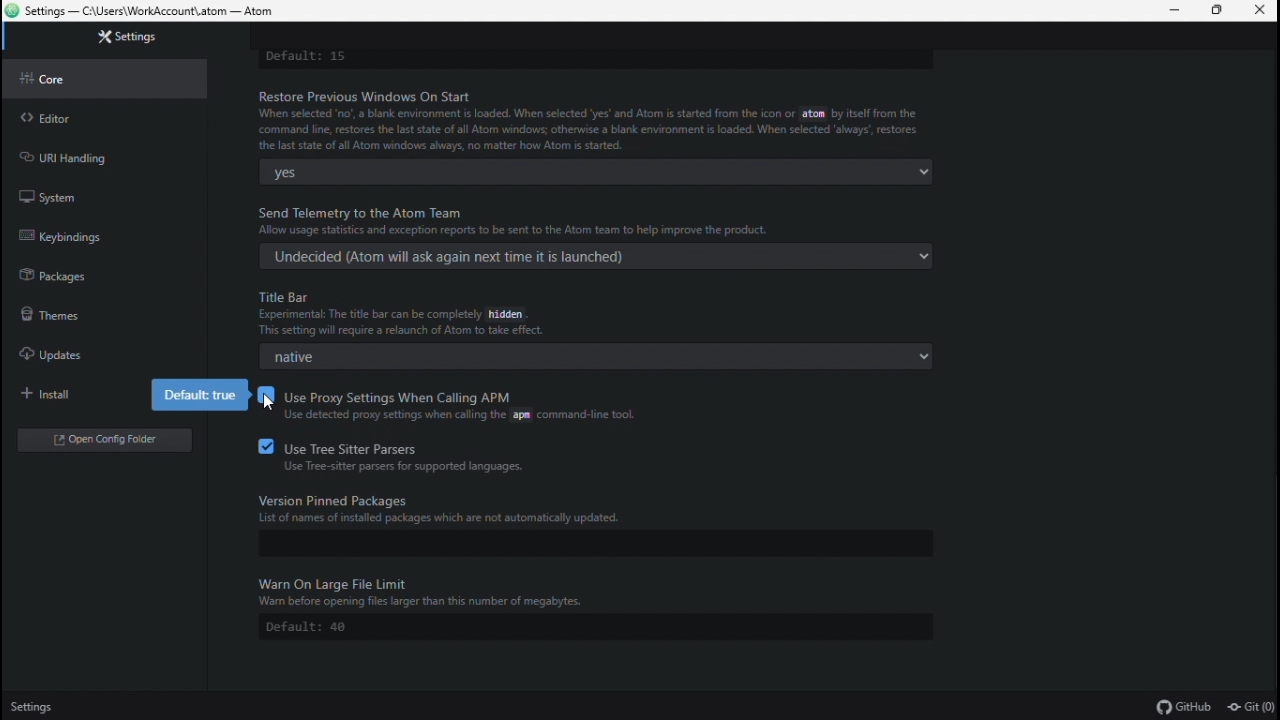 The width and height of the screenshot is (1280, 720). Describe the element at coordinates (199, 395) in the screenshot. I see `default true` at that location.